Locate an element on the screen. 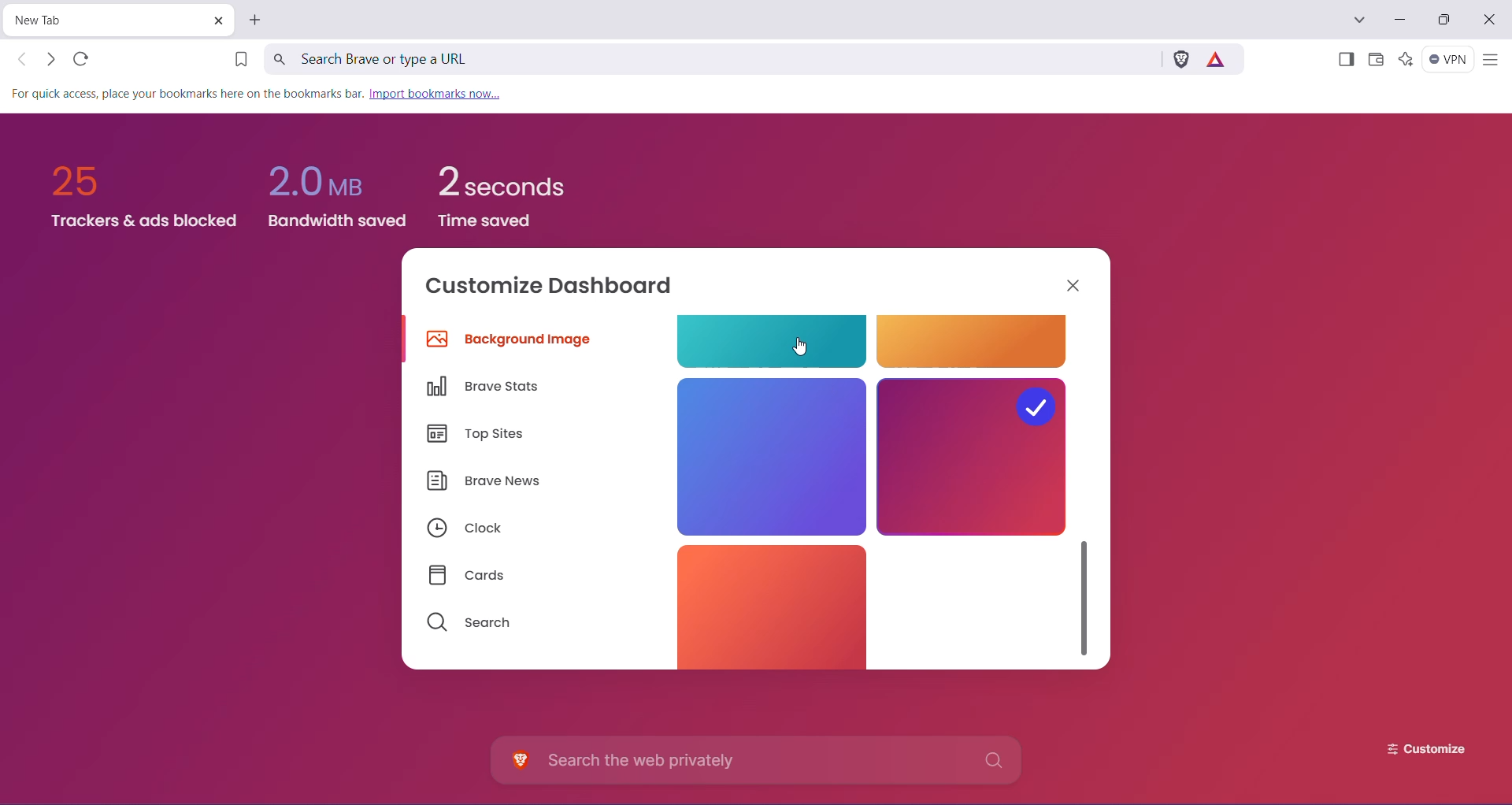  Click to go back, hold to see history is located at coordinates (23, 59).